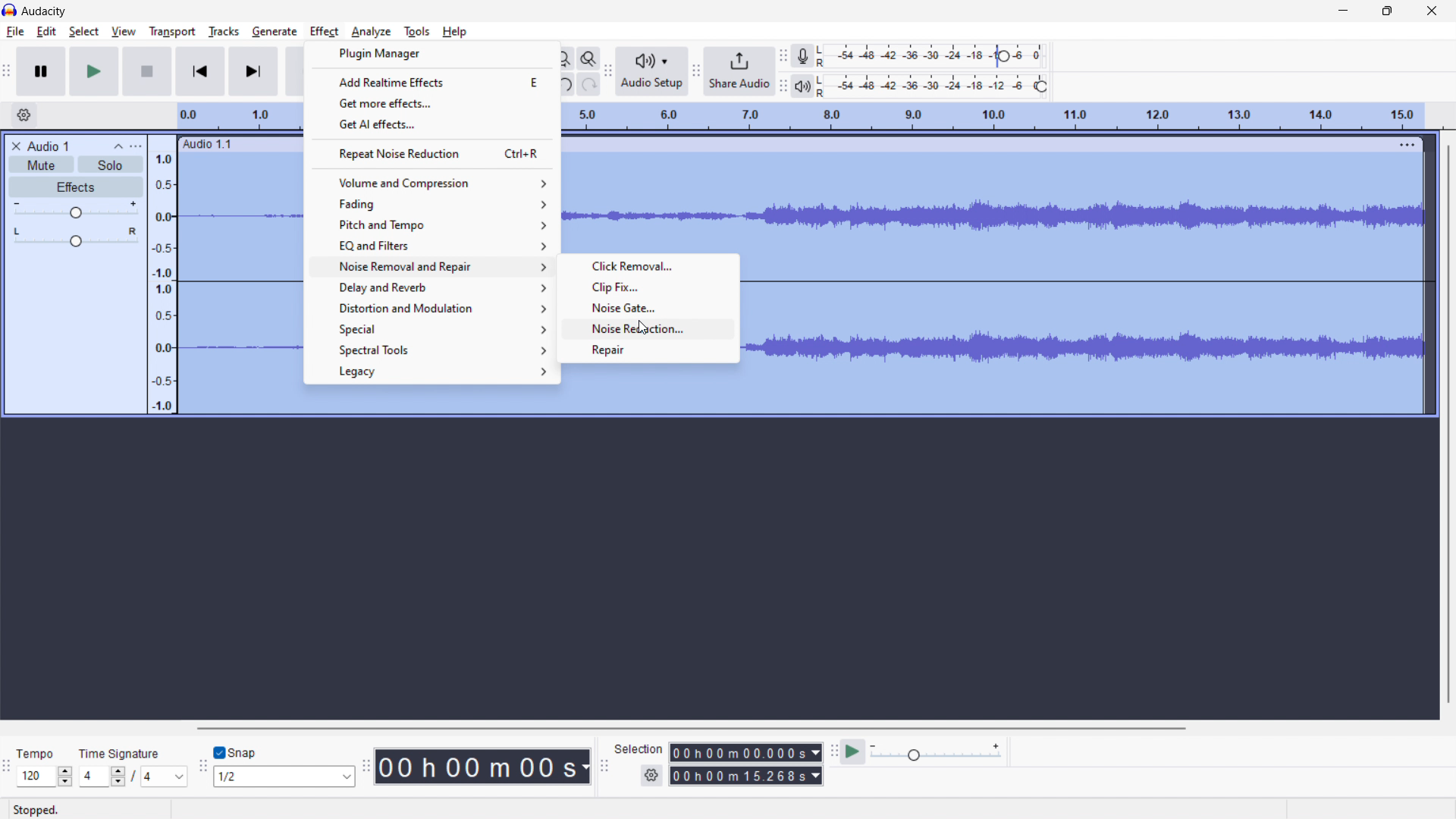 The image size is (1456, 819). Describe the element at coordinates (648, 266) in the screenshot. I see `click removal` at that location.